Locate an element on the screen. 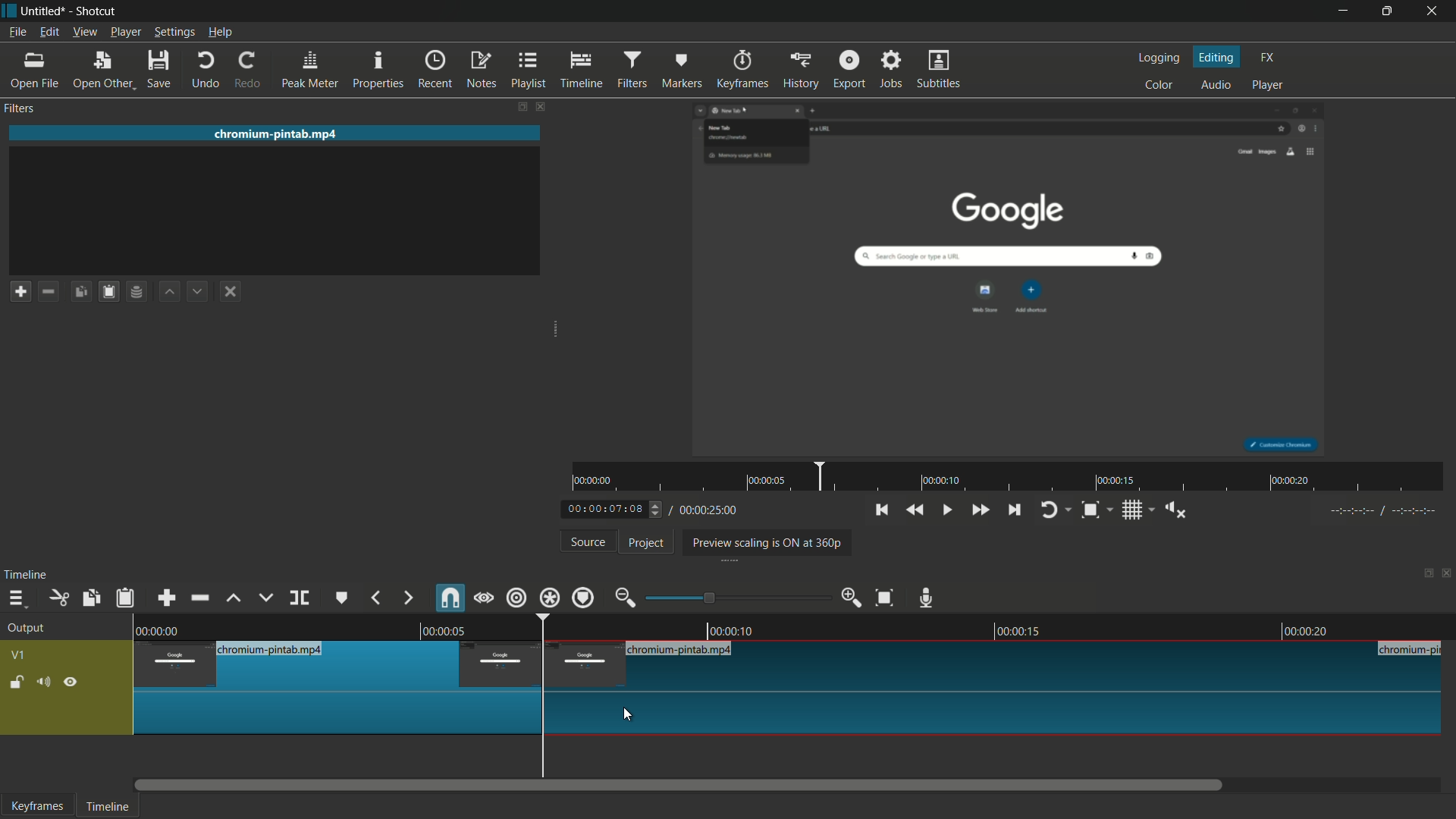  color is located at coordinates (1161, 84).